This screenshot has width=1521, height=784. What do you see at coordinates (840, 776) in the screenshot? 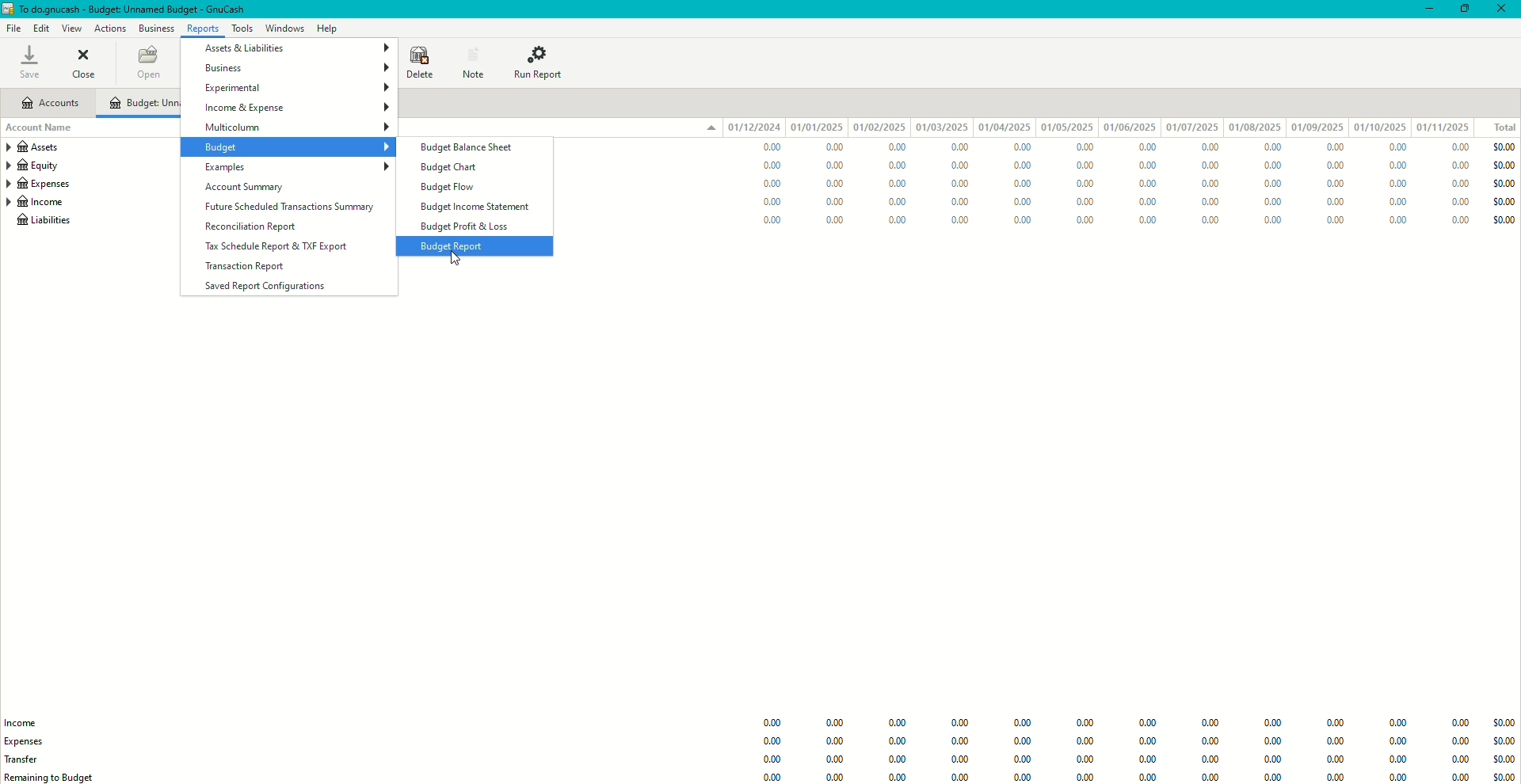
I see `0.00` at bounding box center [840, 776].